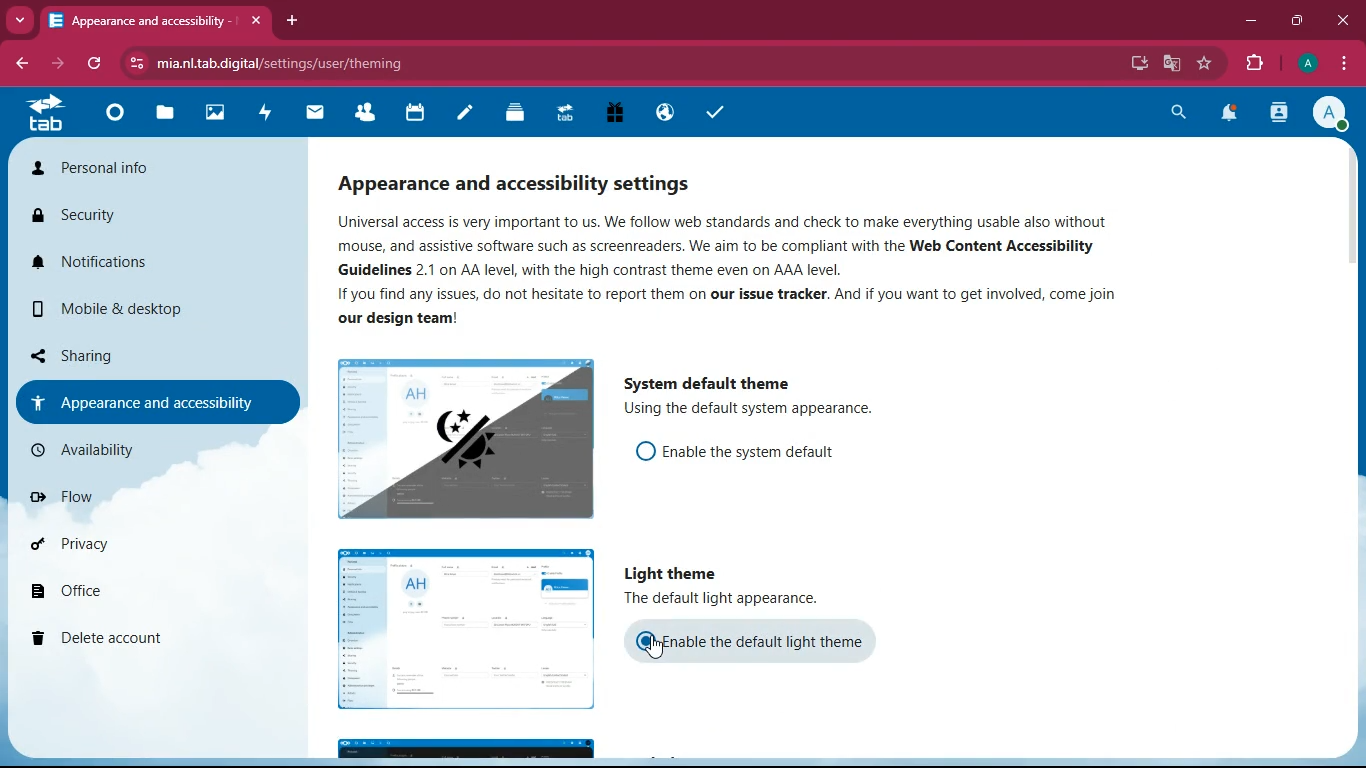  I want to click on google translate, so click(1170, 64).